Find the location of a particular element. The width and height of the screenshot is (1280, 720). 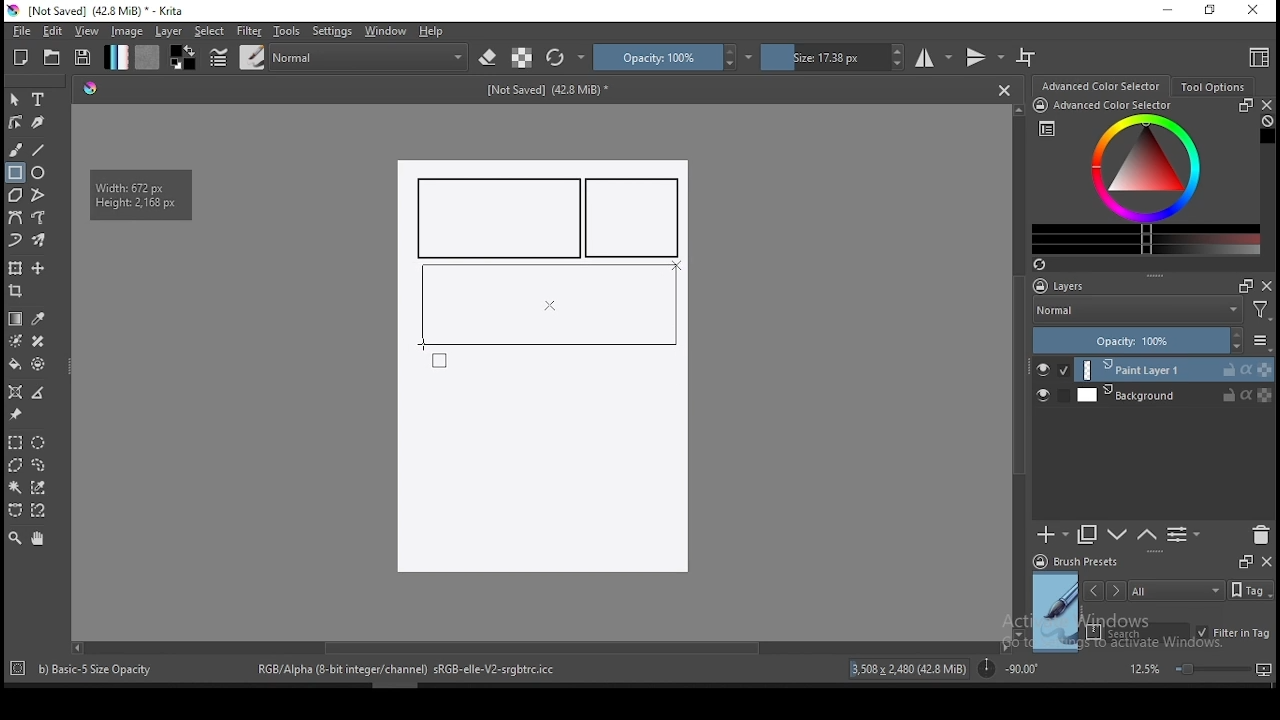

help is located at coordinates (435, 32).